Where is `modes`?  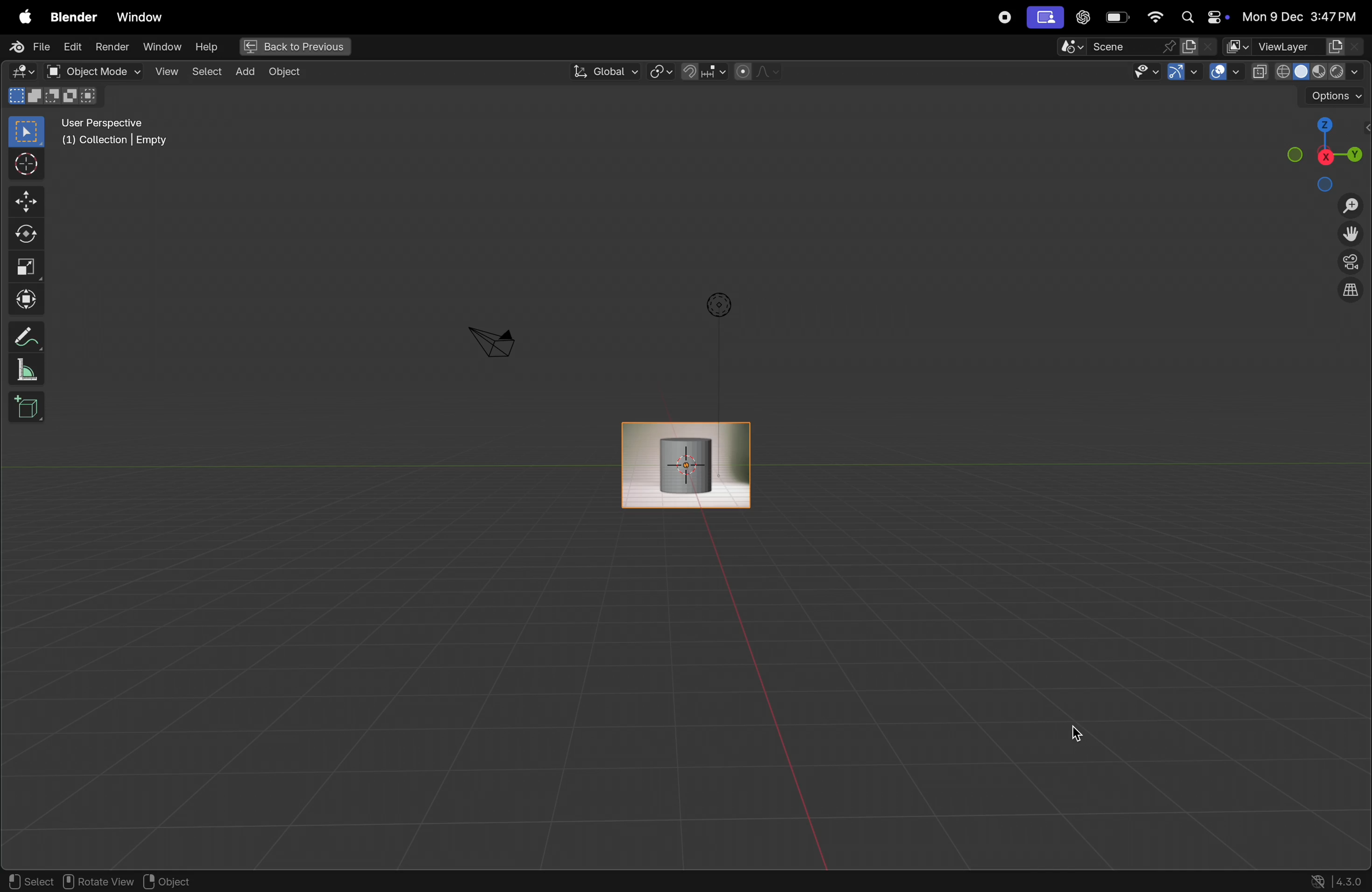
modes is located at coordinates (56, 97).